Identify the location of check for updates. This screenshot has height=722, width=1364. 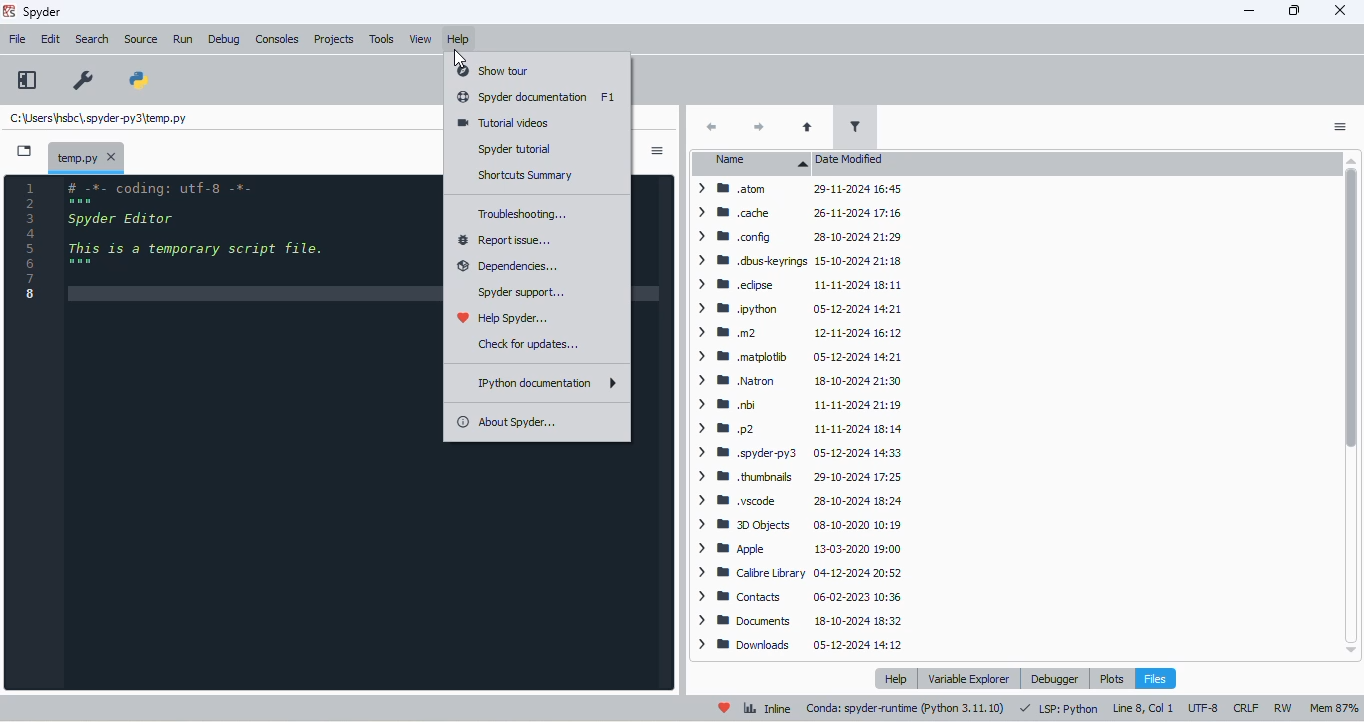
(529, 344).